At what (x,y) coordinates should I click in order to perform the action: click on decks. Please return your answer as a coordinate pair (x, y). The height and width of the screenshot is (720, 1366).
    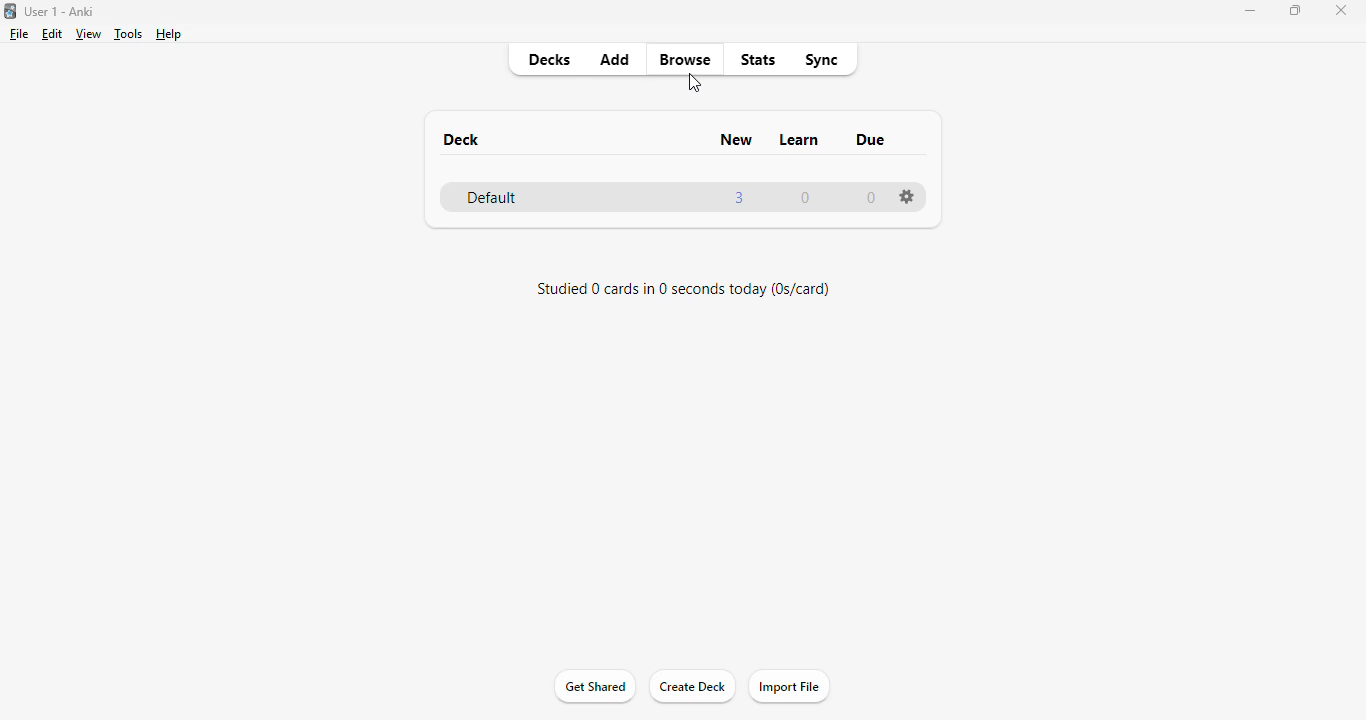
    Looking at the image, I should click on (551, 59).